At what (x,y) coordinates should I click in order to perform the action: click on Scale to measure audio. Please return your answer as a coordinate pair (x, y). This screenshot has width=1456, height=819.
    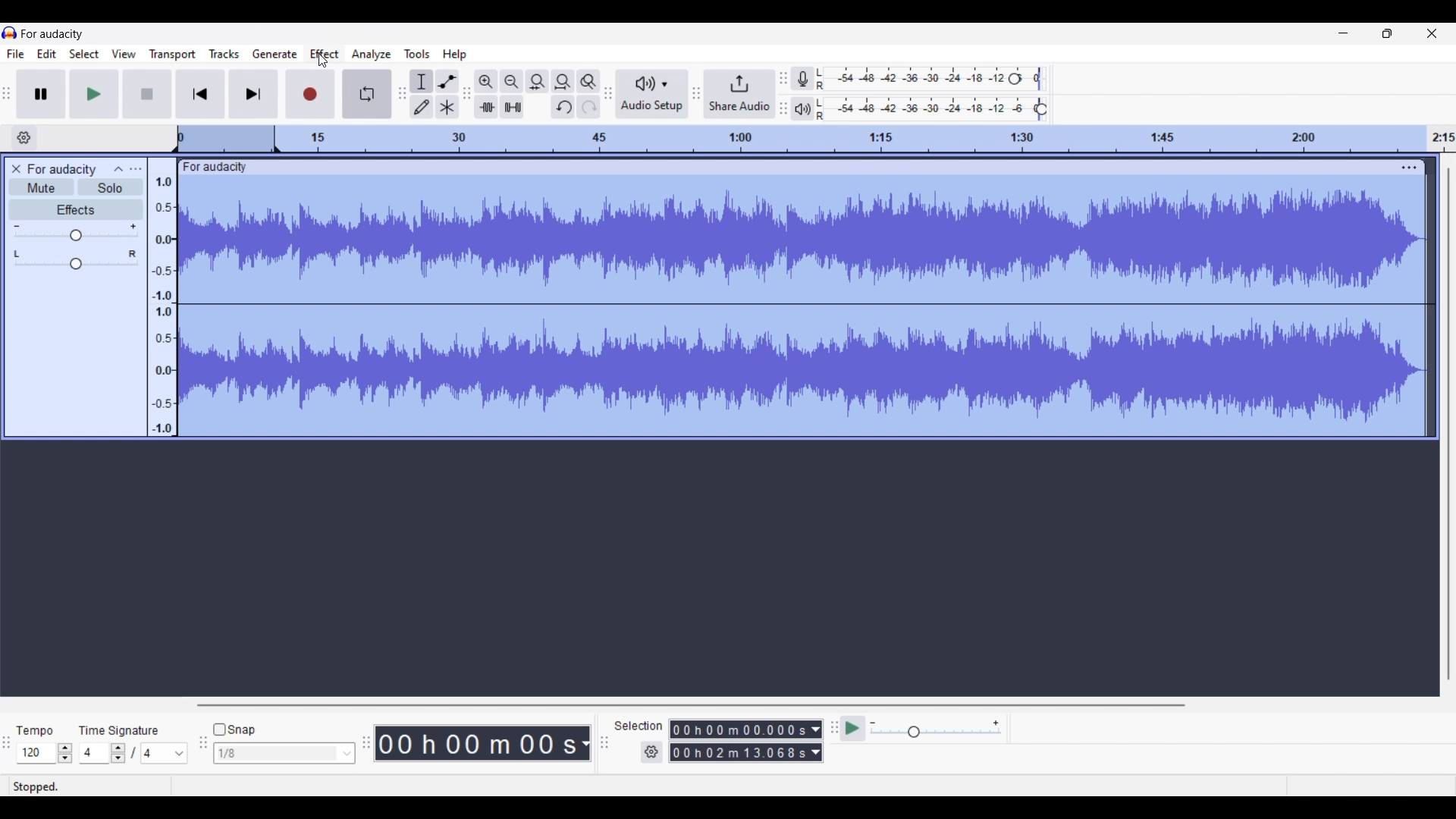
    Looking at the image, I should click on (162, 297).